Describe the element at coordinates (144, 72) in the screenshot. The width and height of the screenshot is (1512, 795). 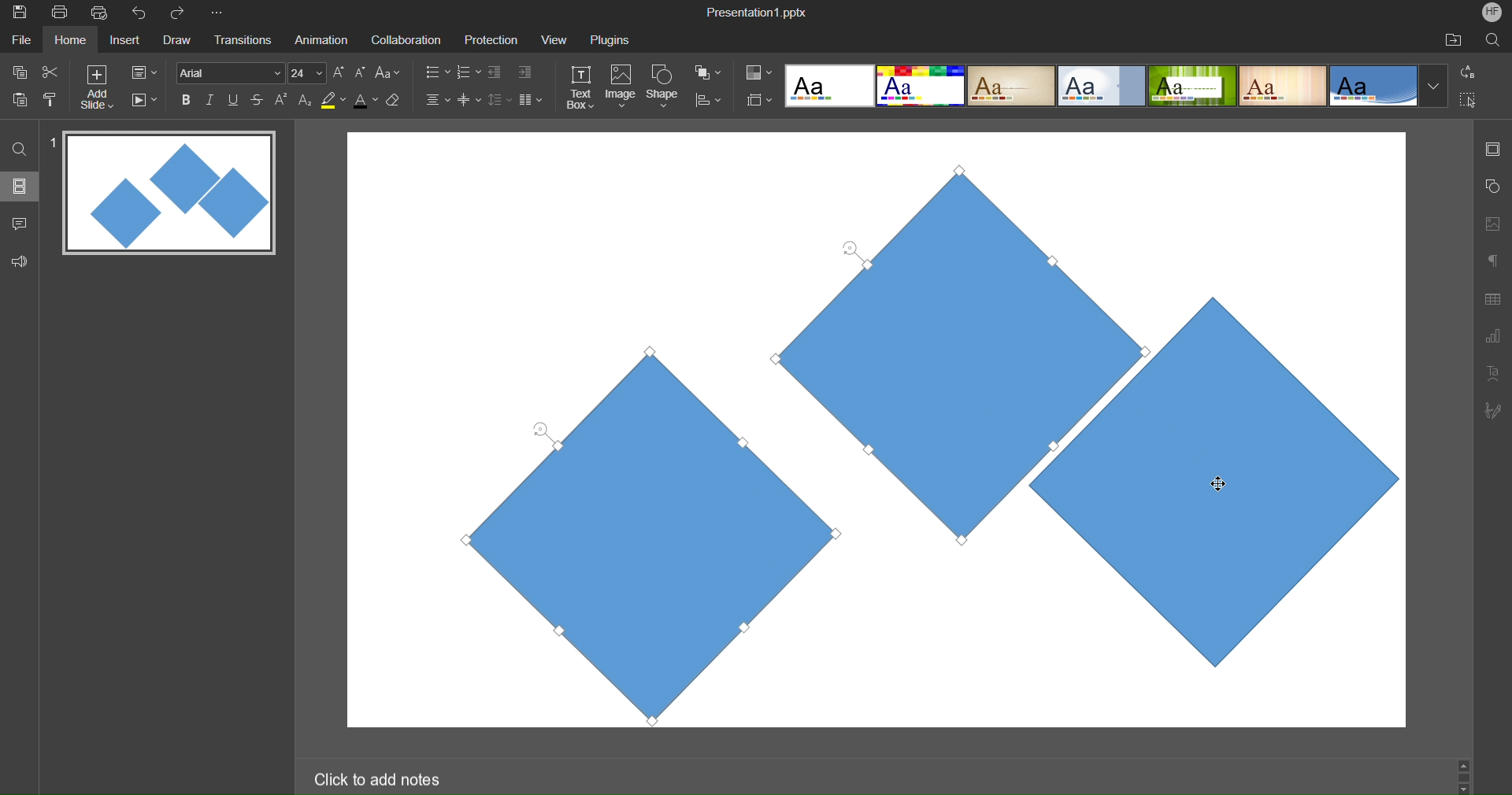
I see `Slide Settings` at that location.